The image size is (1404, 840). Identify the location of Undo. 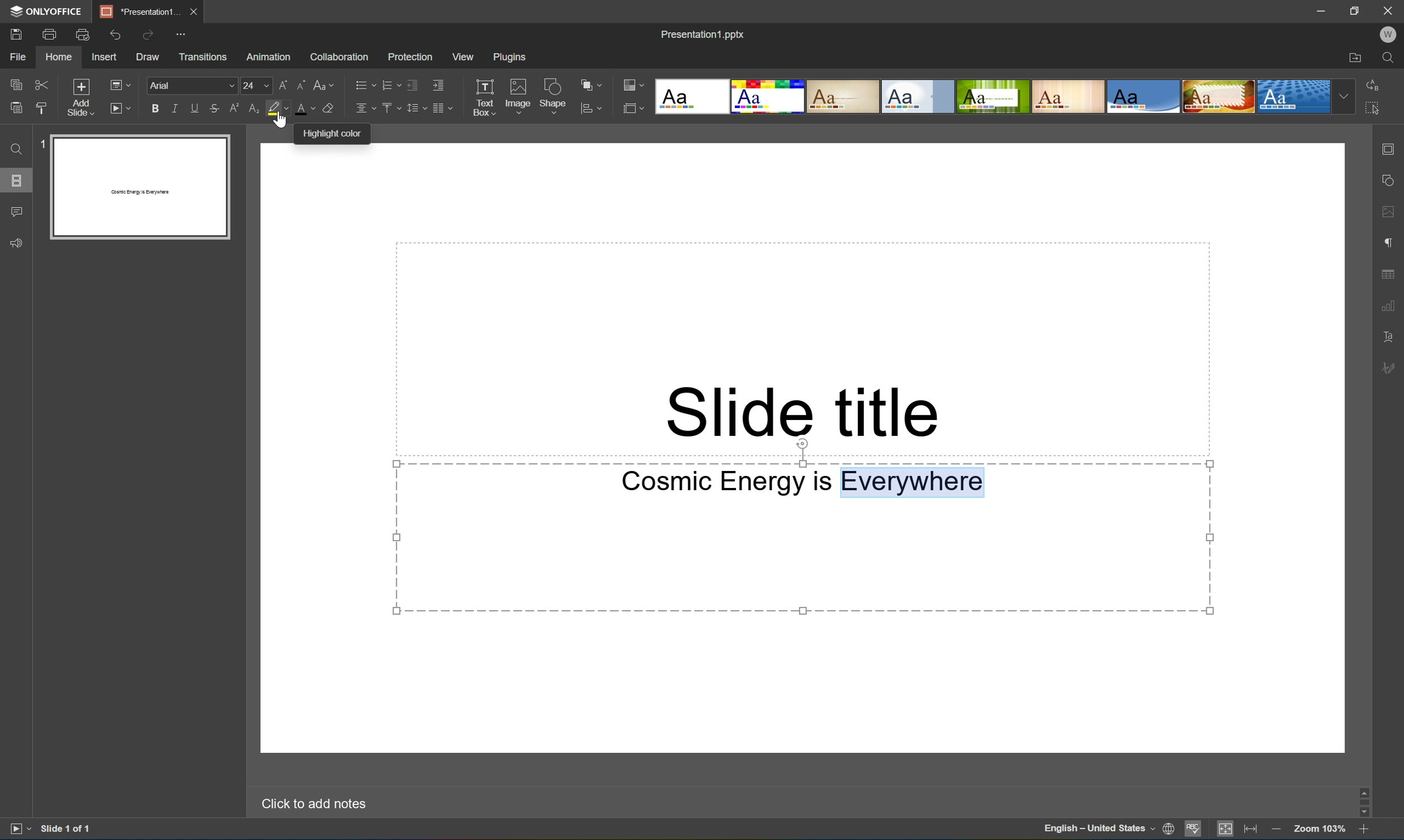
(116, 33).